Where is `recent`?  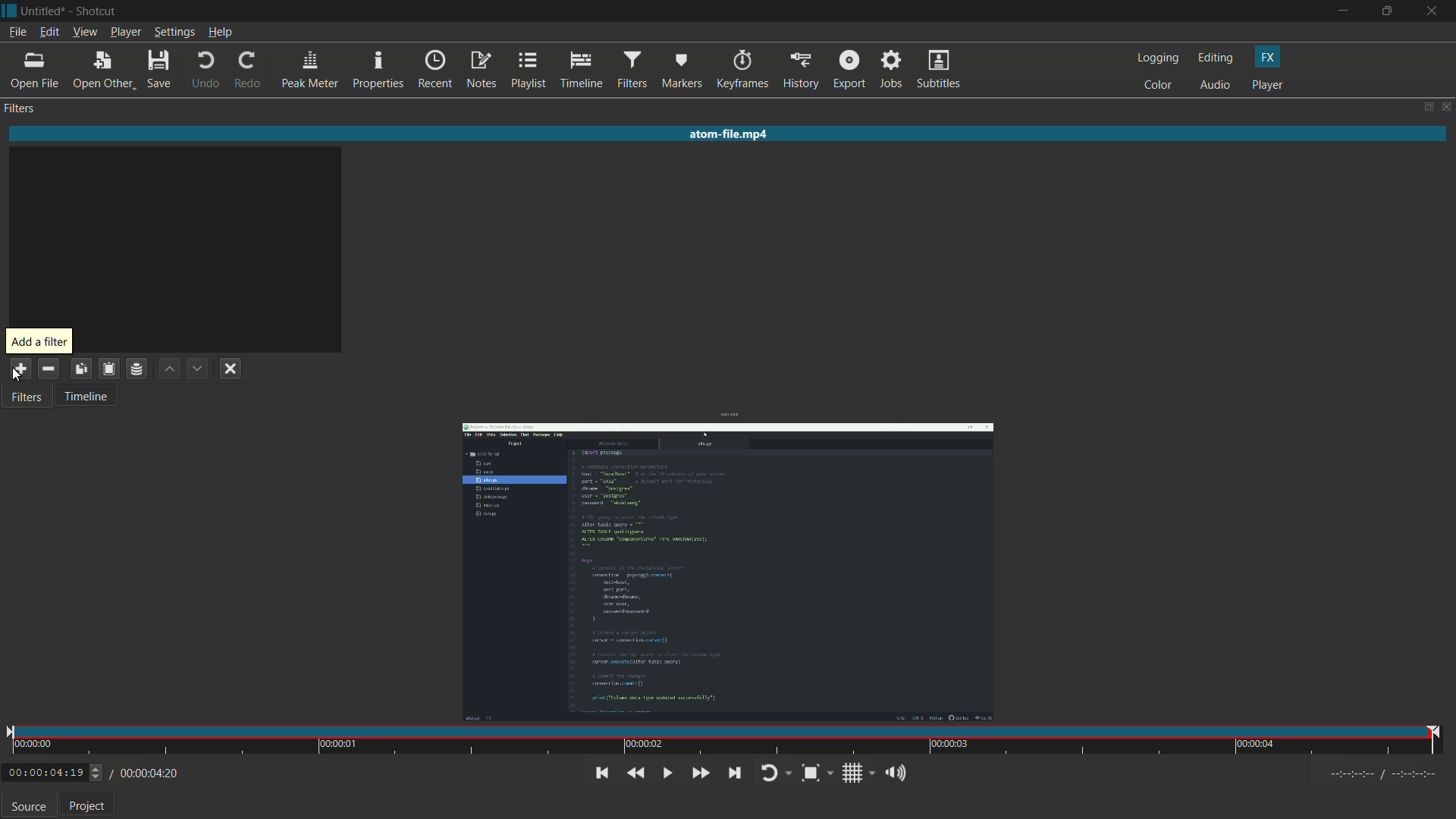
recent is located at coordinates (435, 71).